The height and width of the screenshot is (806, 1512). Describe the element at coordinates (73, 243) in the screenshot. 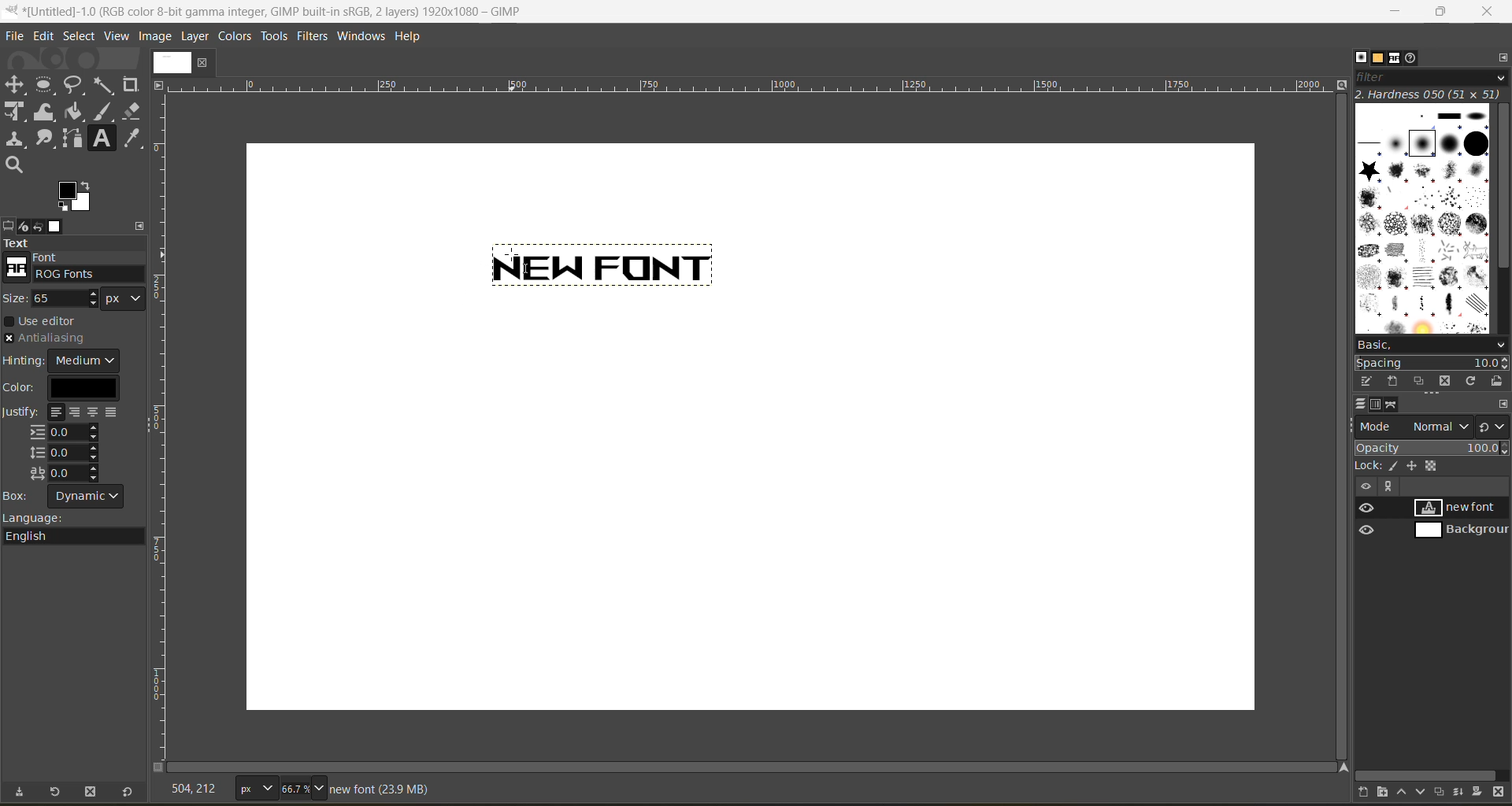

I see `text` at that location.